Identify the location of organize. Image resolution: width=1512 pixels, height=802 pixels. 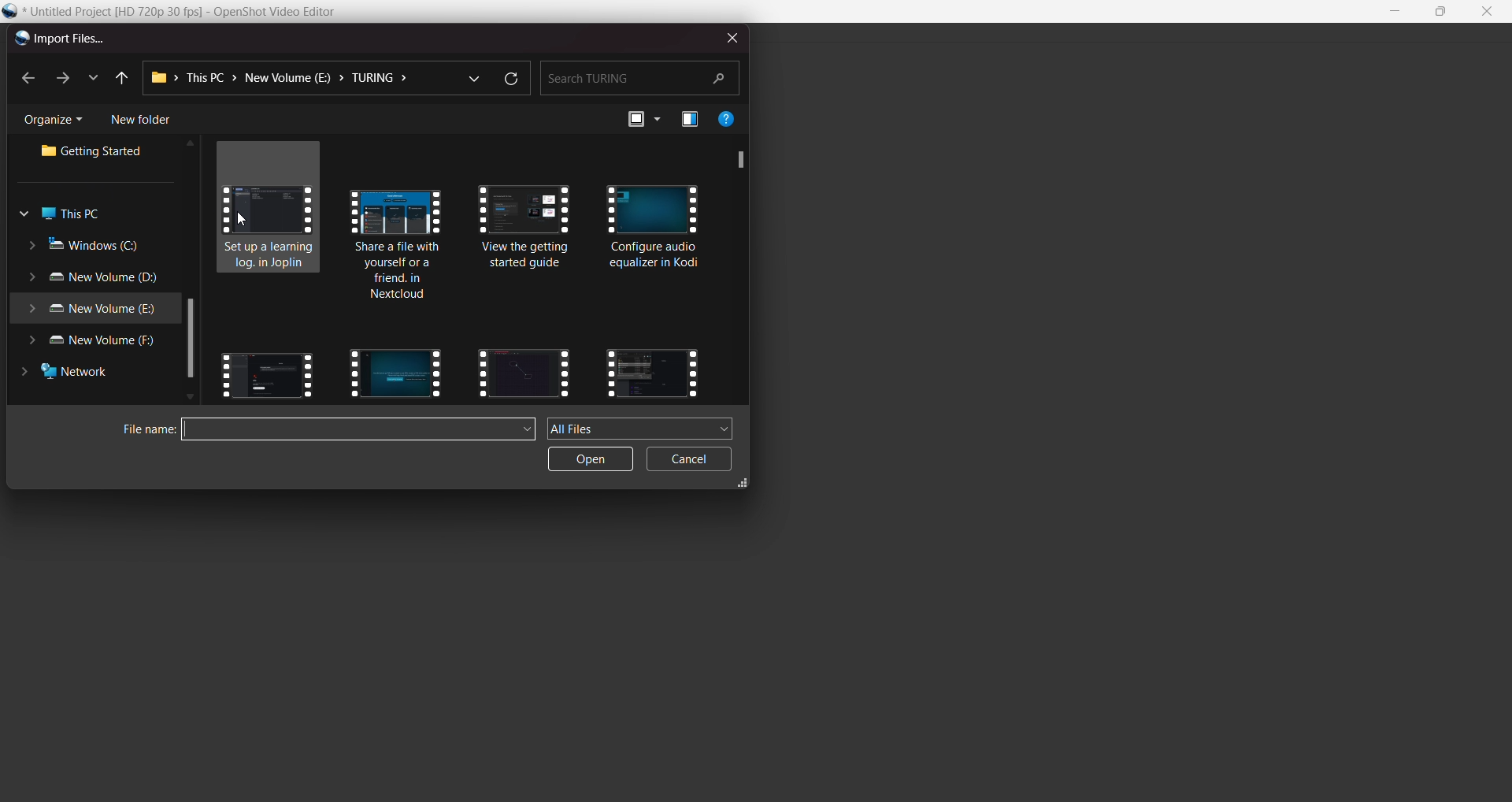
(57, 121).